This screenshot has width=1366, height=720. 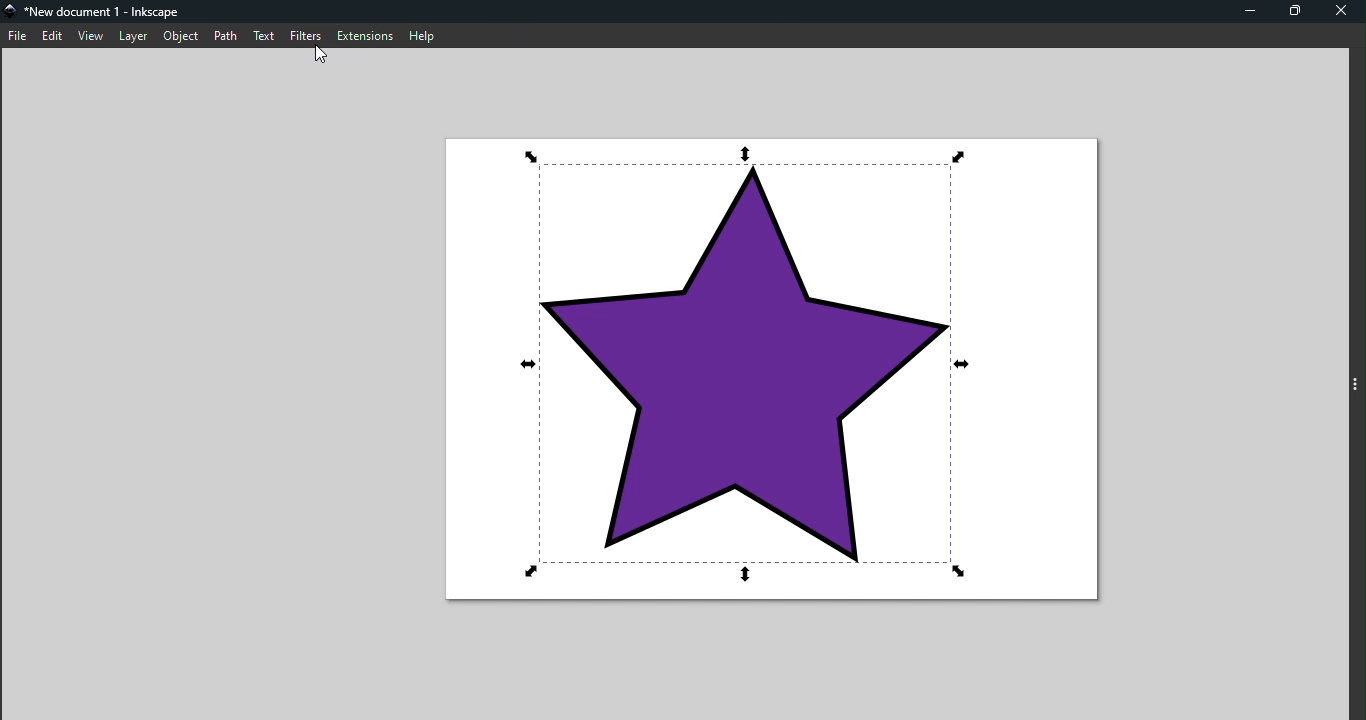 I want to click on Extensions, so click(x=363, y=34).